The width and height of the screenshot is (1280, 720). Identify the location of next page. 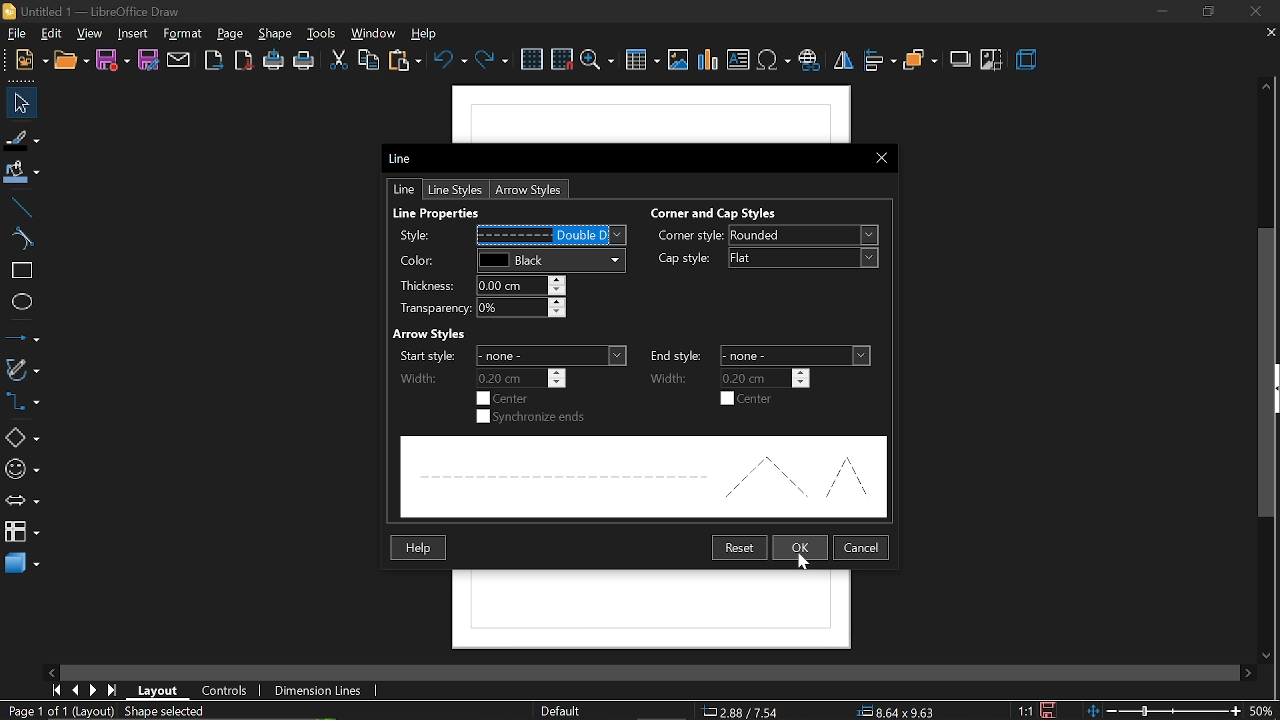
(94, 689).